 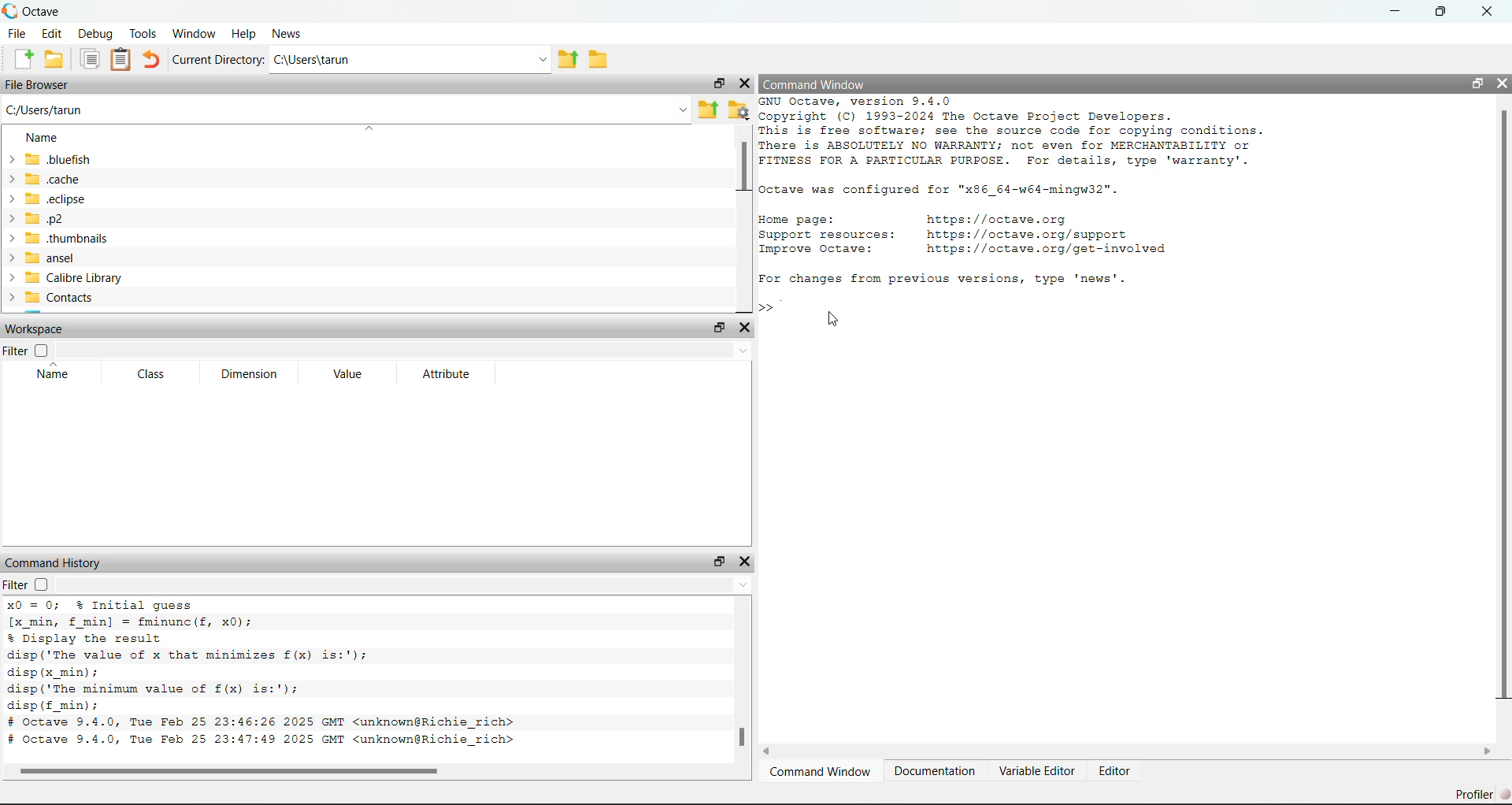 What do you see at coordinates (1477, 83) in the screenshot?
I see `Maximize/ Restore` at bounding box center [1477, 83].